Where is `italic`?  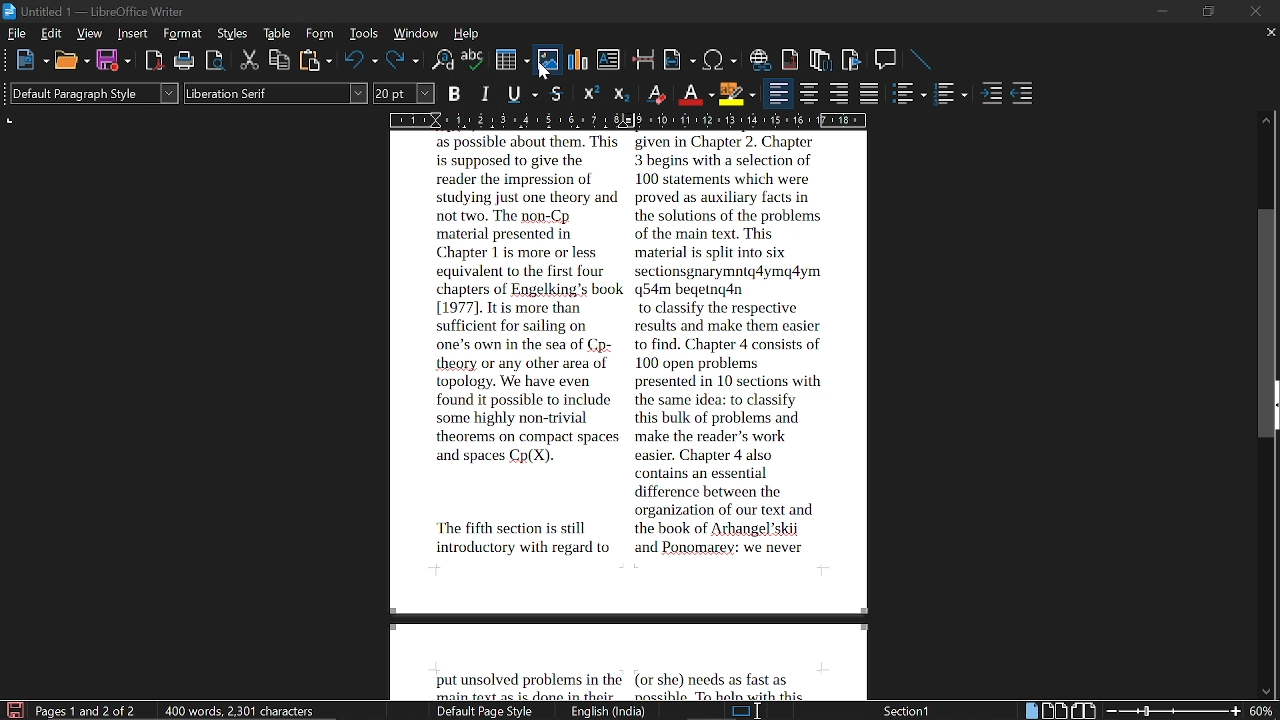
italic is located at coordinates (486, 94).